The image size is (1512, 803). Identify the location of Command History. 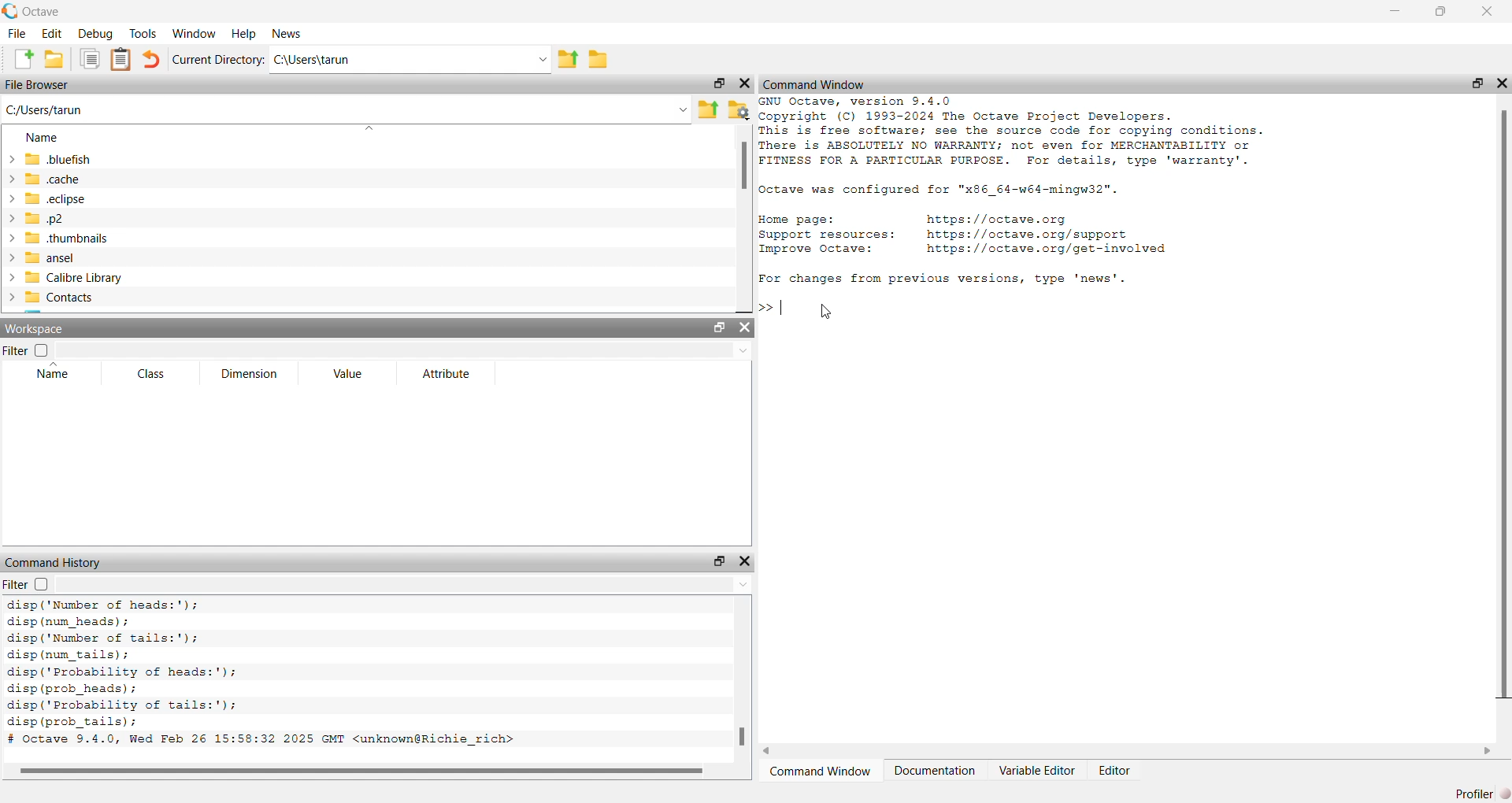
(55, 563).